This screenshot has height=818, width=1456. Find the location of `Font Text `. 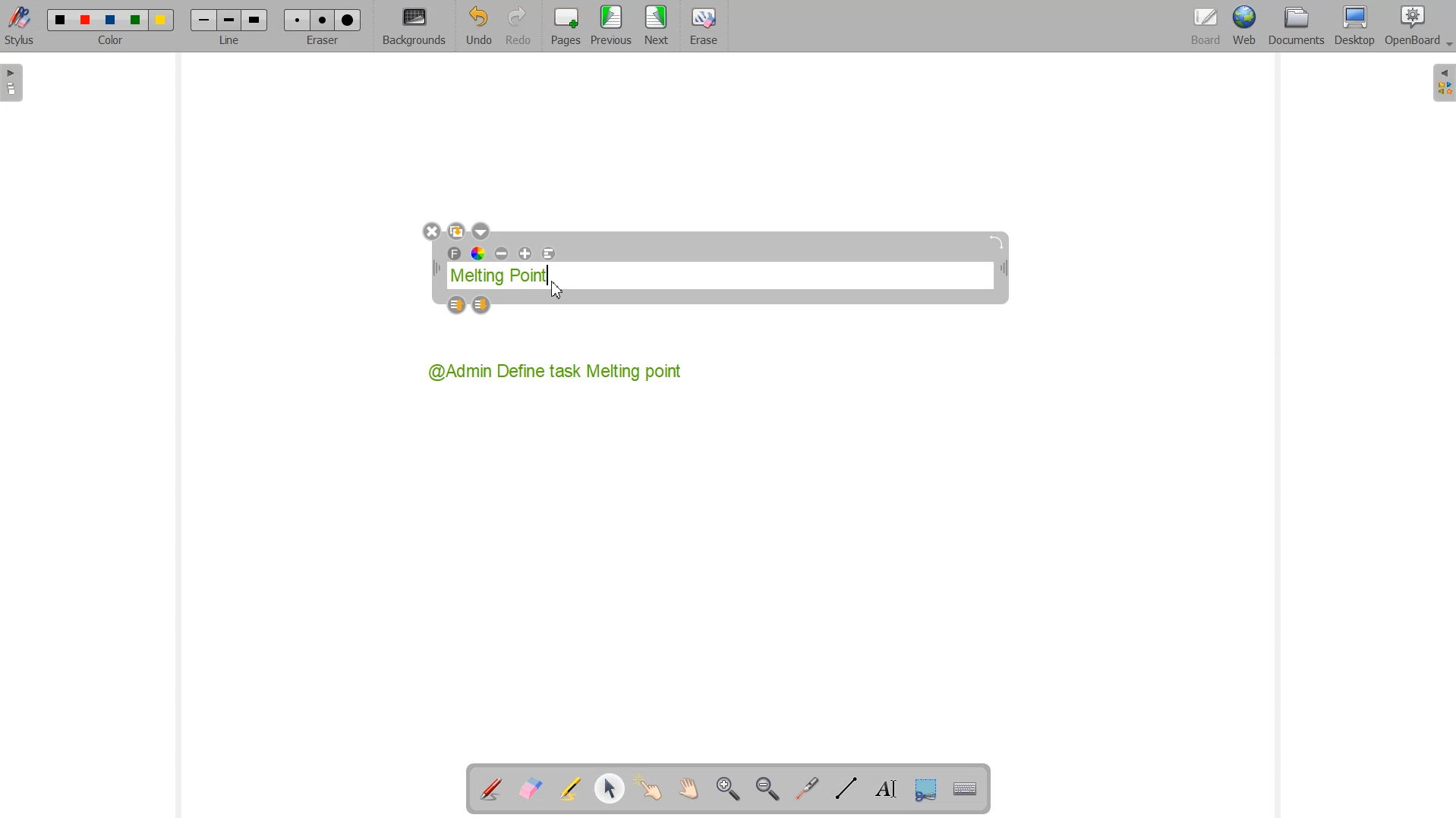

Font Text  is located at coordinates (455, 254).